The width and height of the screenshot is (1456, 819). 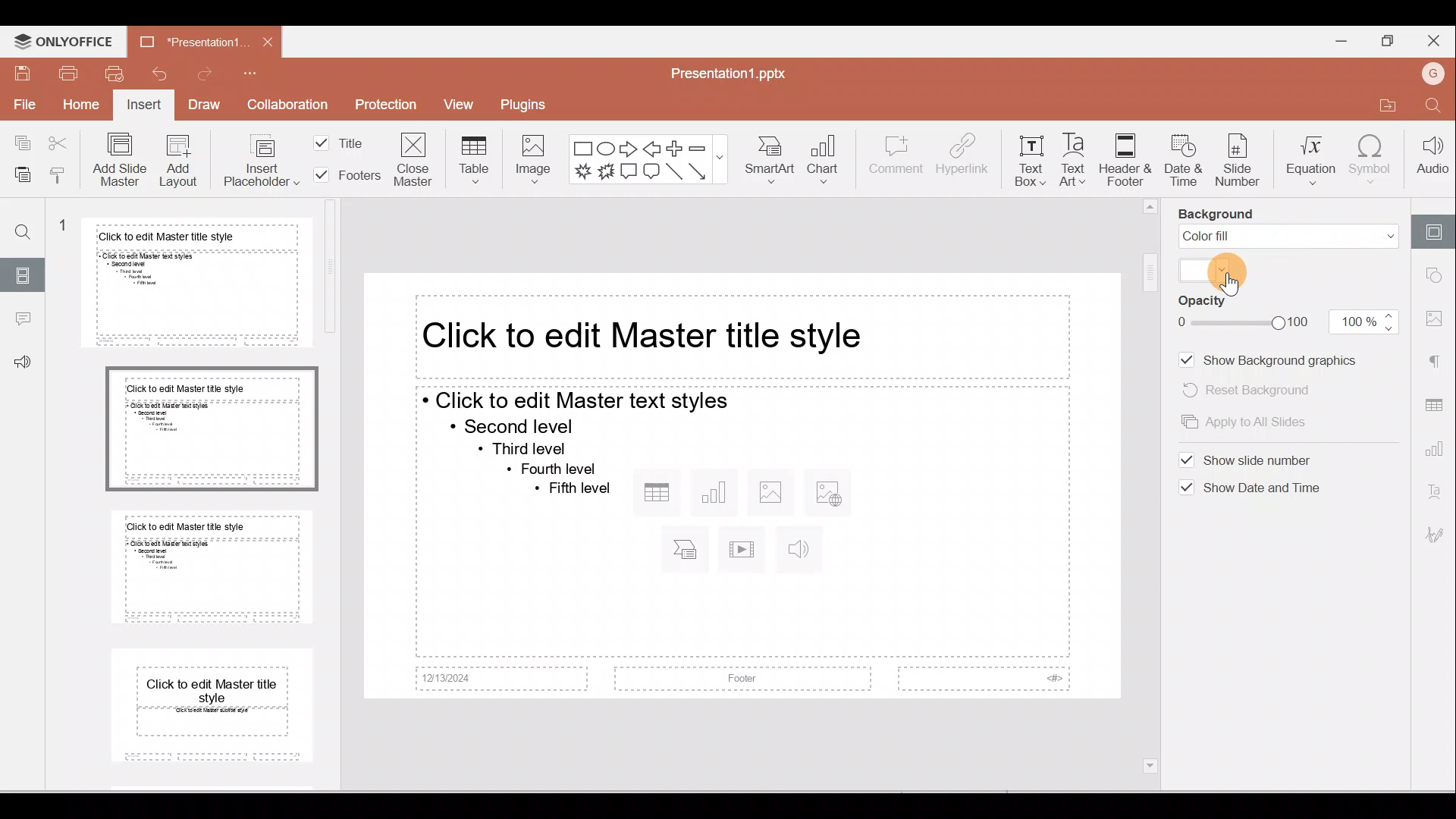 I want to click on Chart, so click(x=829, y=155).